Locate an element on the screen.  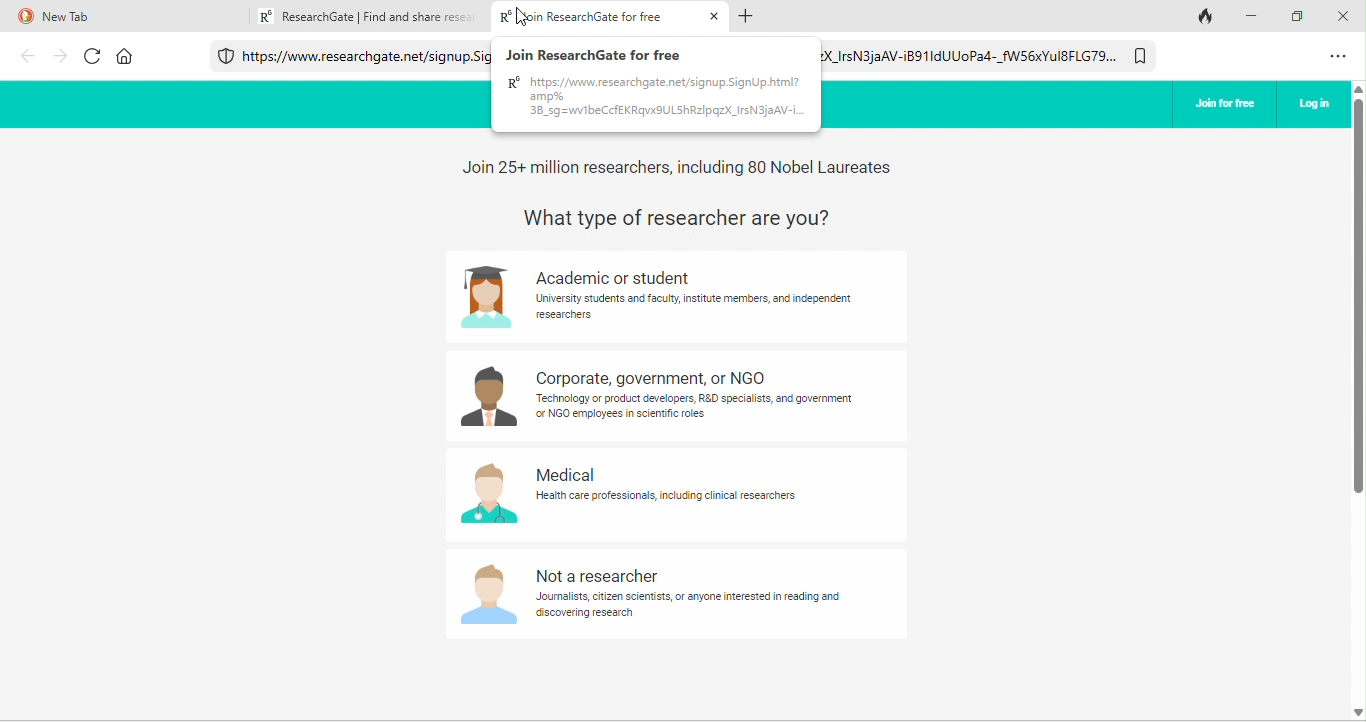
track tab is located at coordinates (1207, 18).